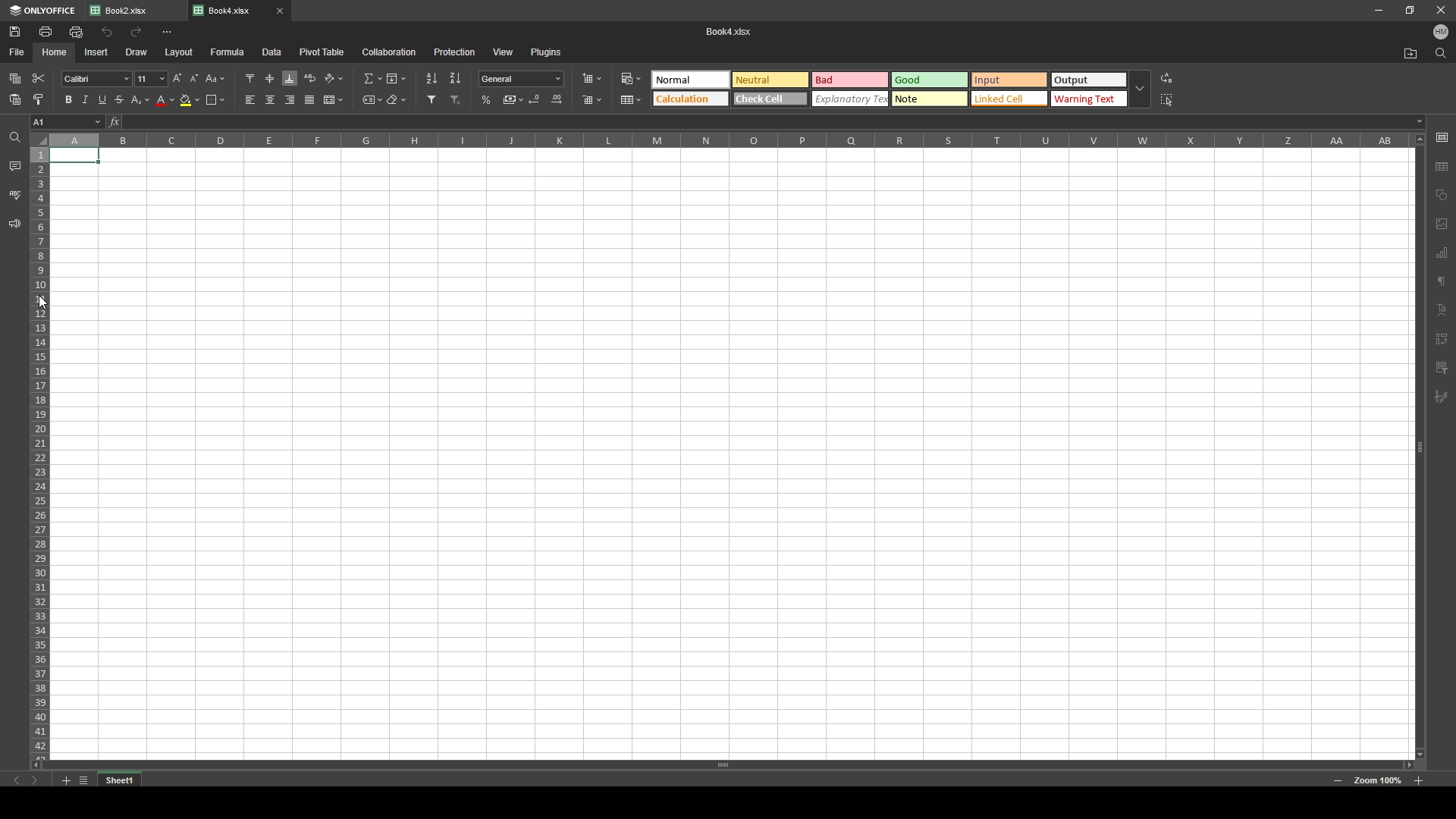 Image resolution: width=1456 pixels, height=819 pixels. Describe the element at coordinates (83, 100) in the screenshot. I see `italic` at that location.